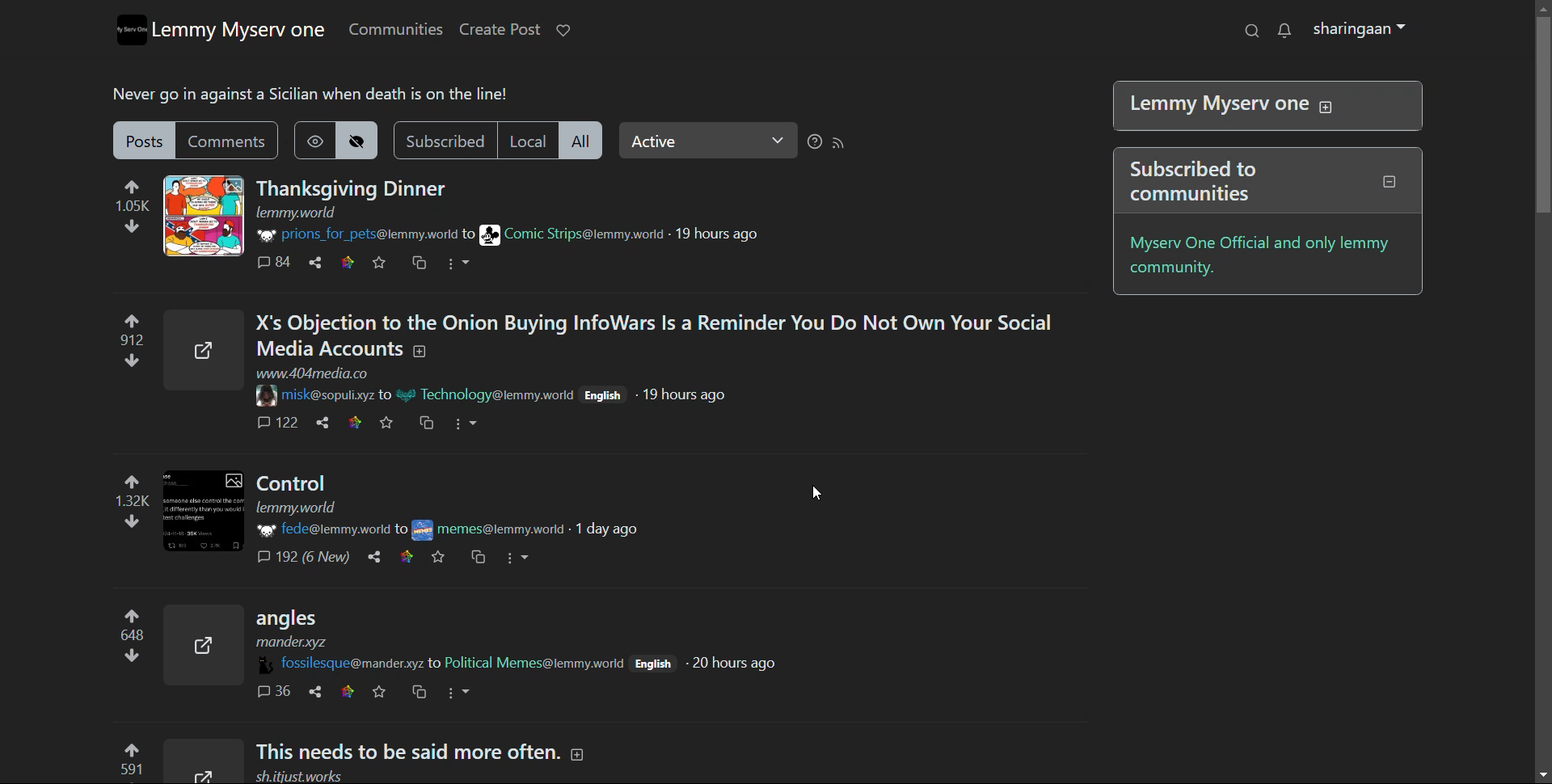  I want to click on 19 hours ago(time of posting), so click(718, 233).